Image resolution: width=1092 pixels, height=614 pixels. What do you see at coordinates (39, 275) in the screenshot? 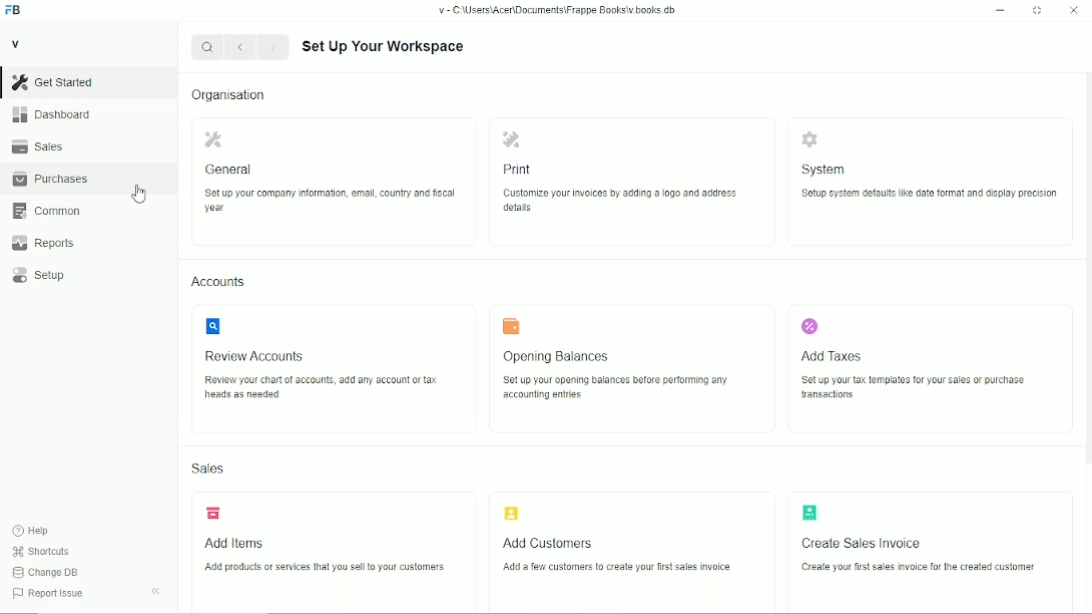
I see `setup` at bounding box center [39, 275].